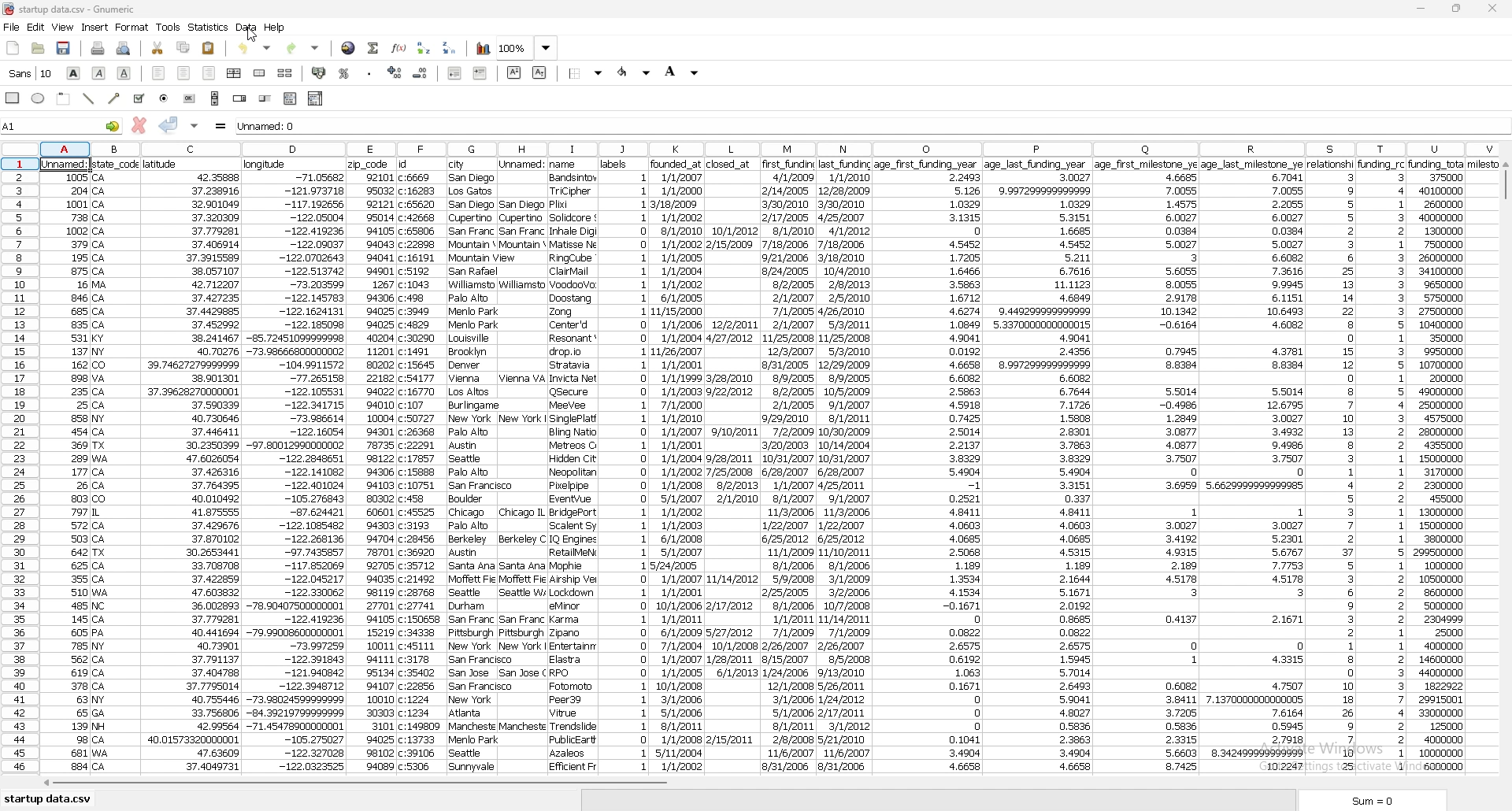 The image size is (1512, 811). Describe the element at coordinates (1332, 468) in the screenshot. I see `data` at that location.